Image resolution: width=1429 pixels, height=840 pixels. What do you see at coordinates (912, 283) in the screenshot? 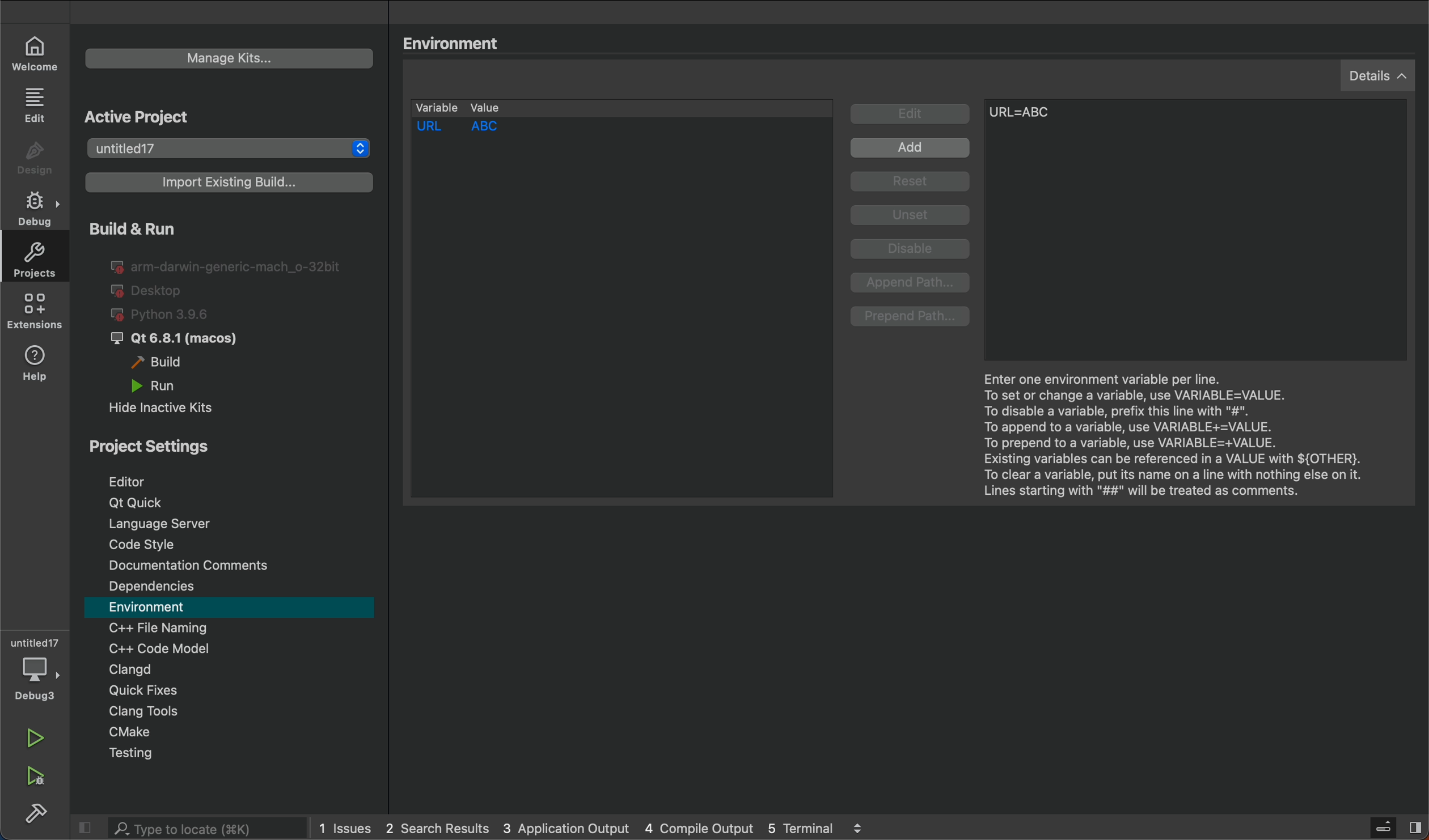
I see `append` at bounding box center [912, 283].